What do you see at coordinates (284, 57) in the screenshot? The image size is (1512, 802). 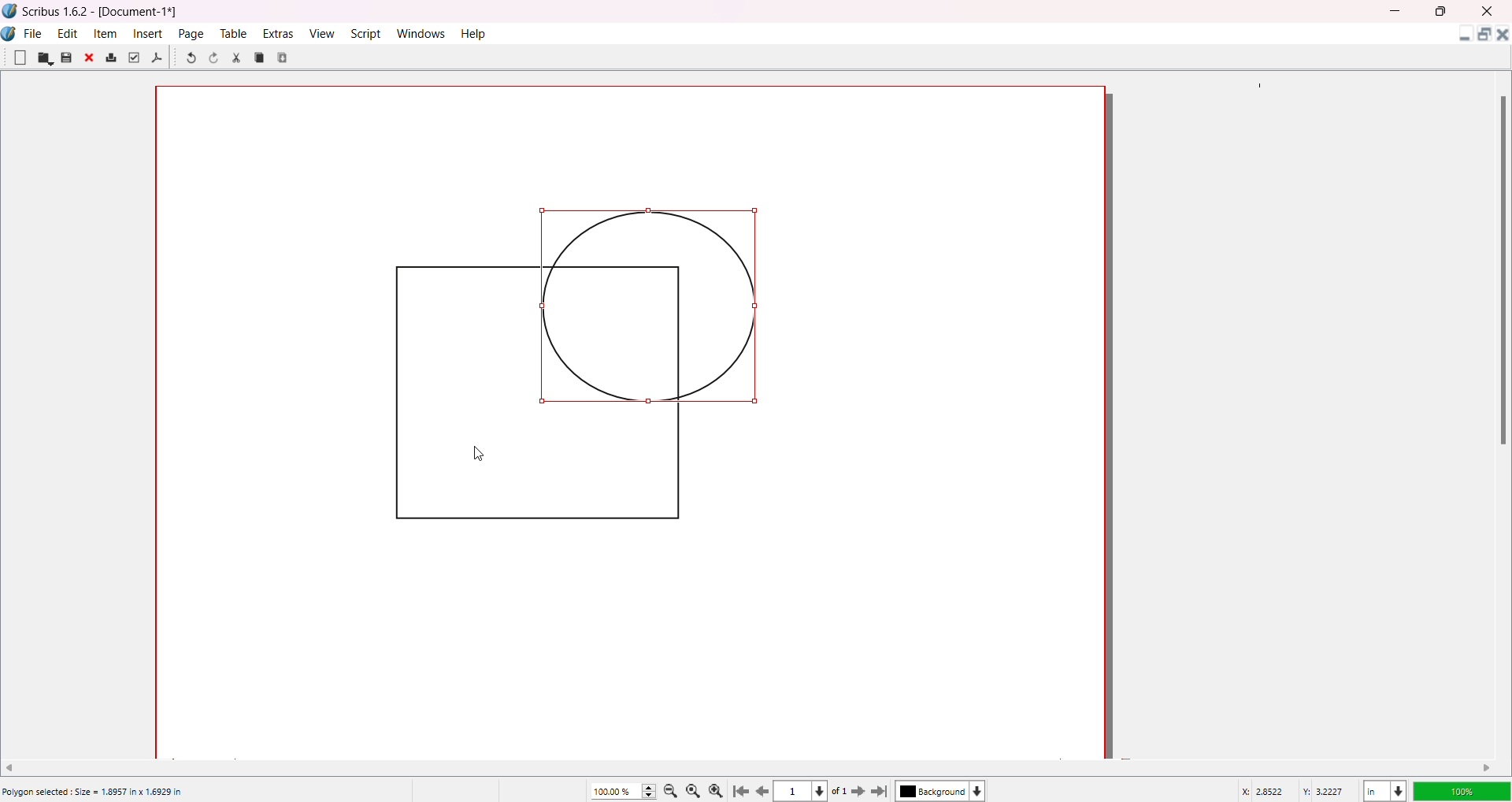 I see `Paste` at bounding box center [284, 57].